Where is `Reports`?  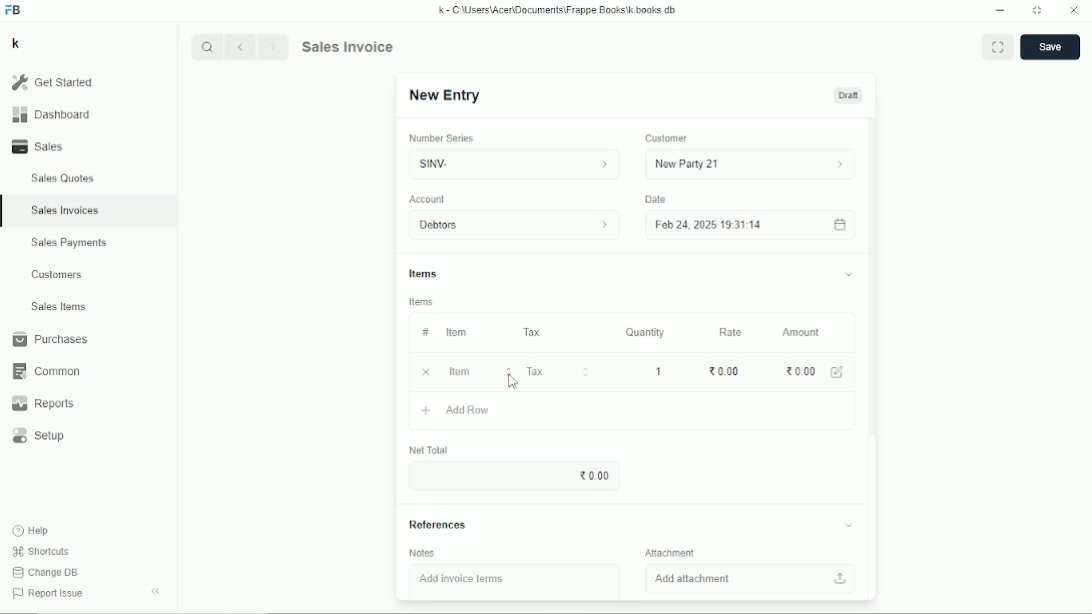 Reports is located at coordinates (42, 404).